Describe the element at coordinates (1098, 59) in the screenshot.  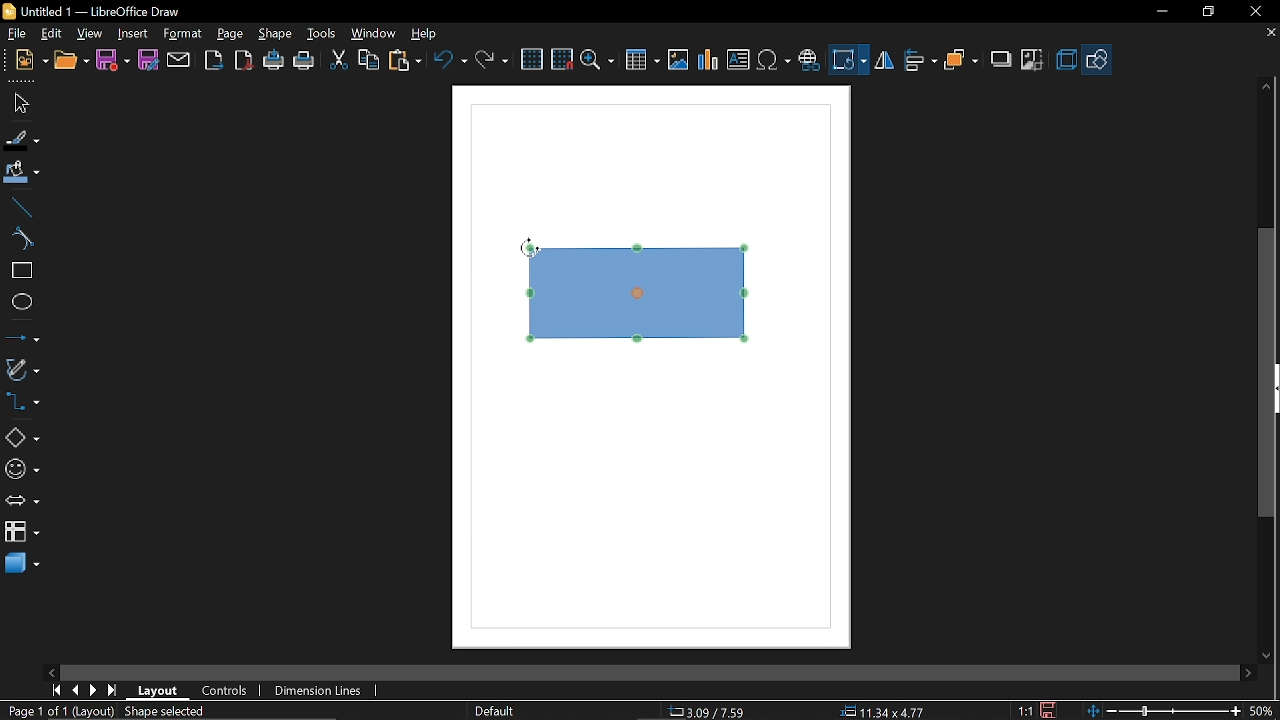
I see `shapes` at that location.